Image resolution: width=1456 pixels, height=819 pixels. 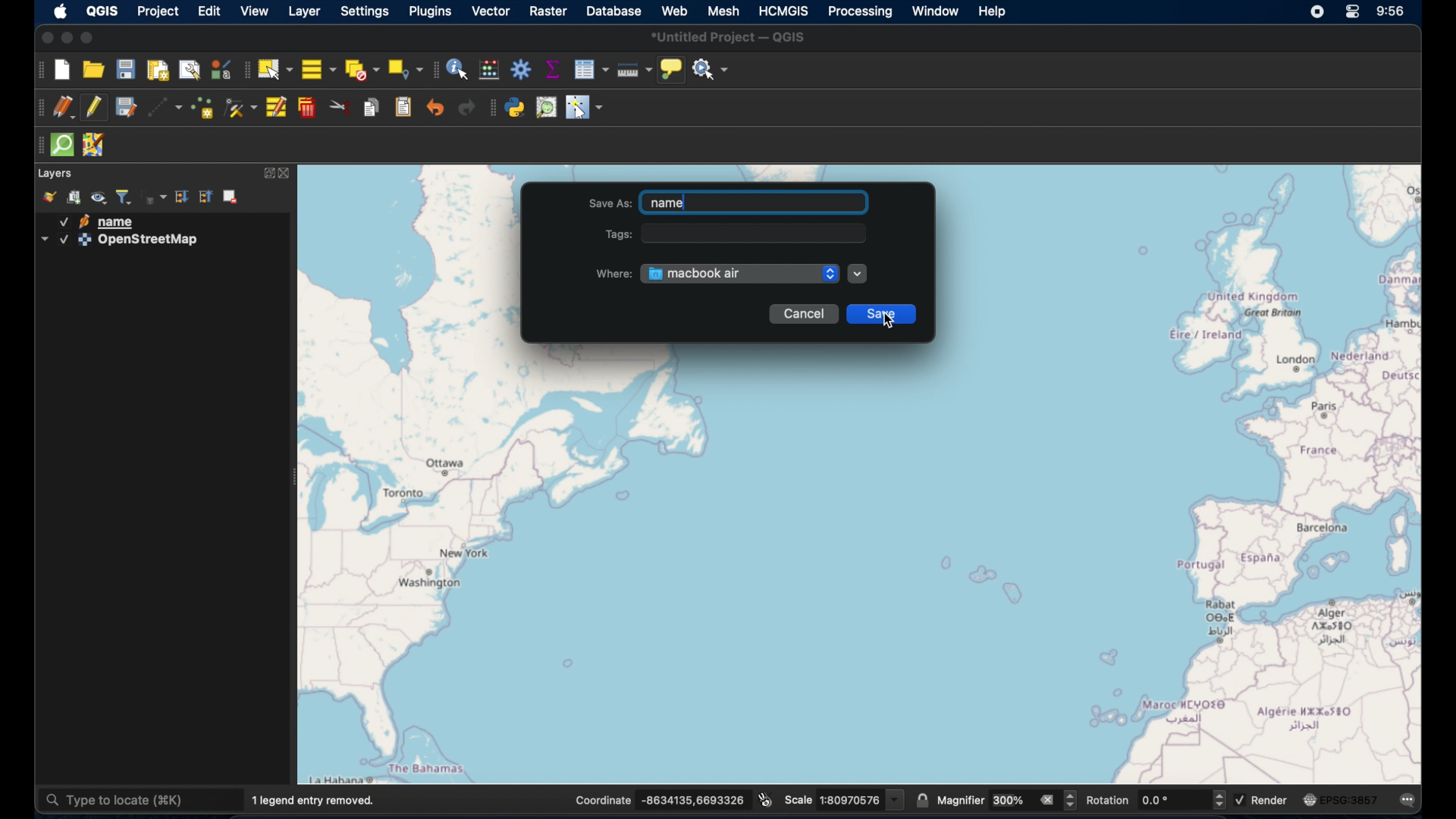 I want to click on vertex tool, so click(x=241, y=109).